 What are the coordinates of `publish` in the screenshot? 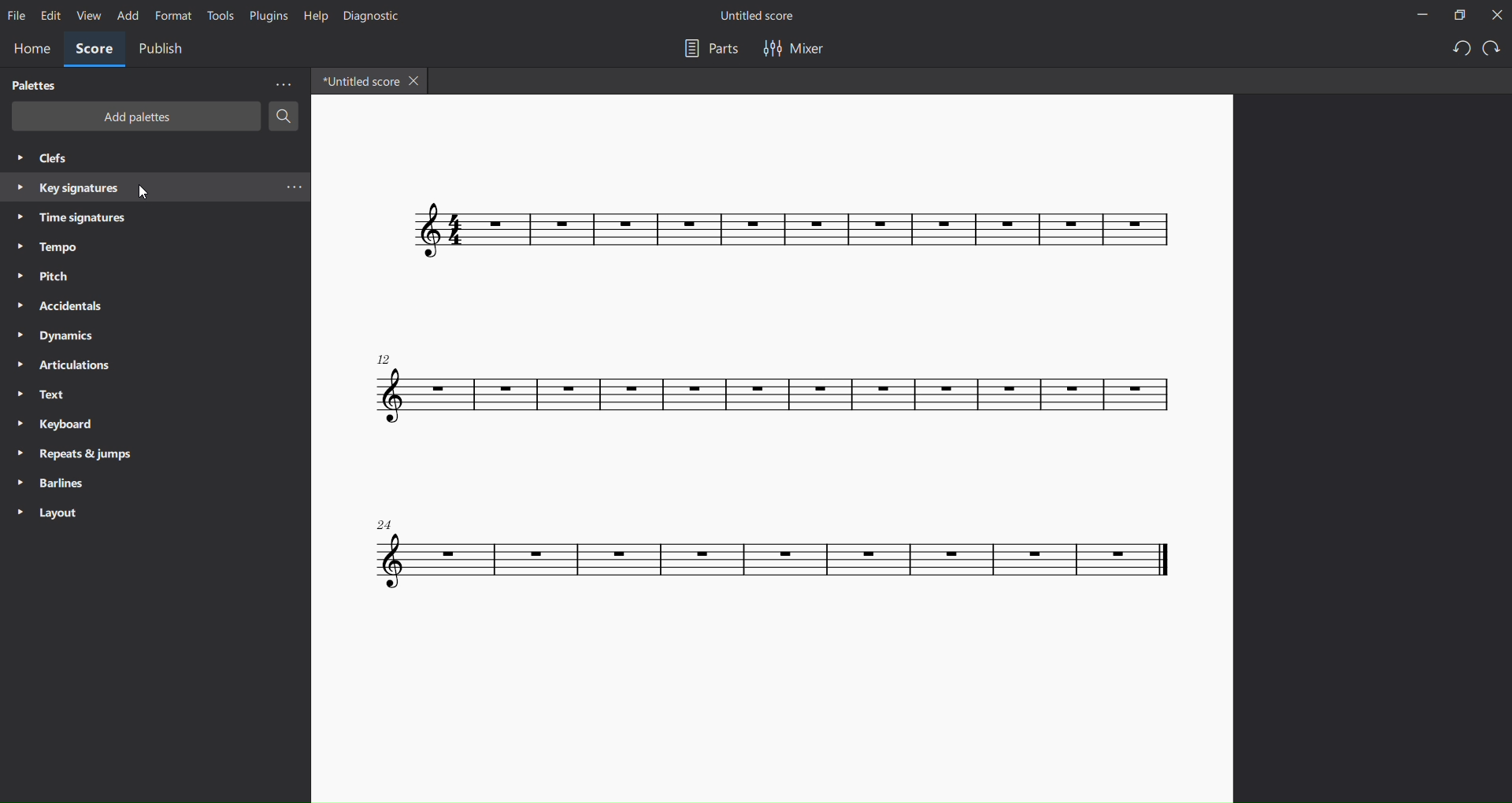 It's located at (163, 50).